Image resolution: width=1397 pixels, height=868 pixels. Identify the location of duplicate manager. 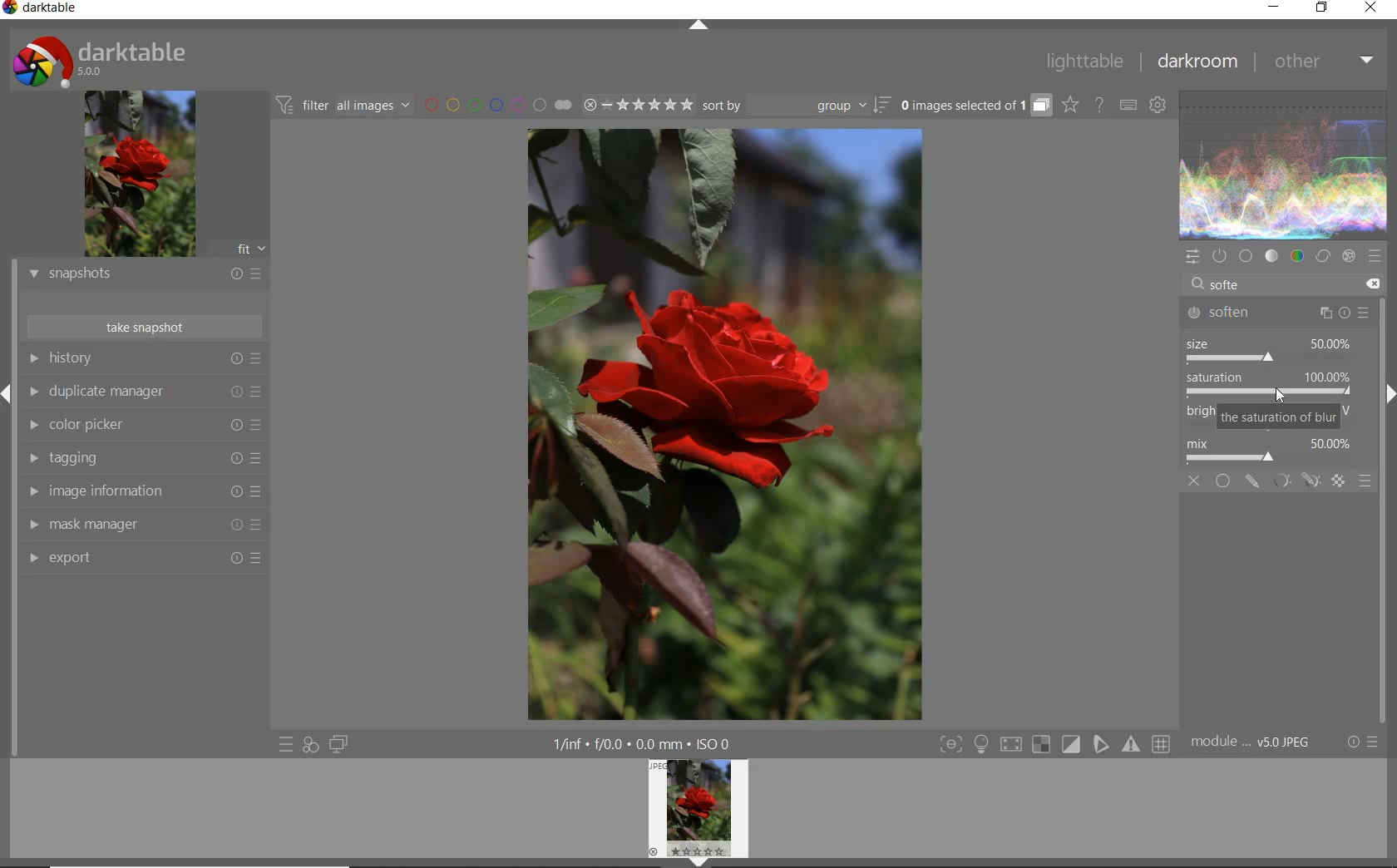
(143, 392).